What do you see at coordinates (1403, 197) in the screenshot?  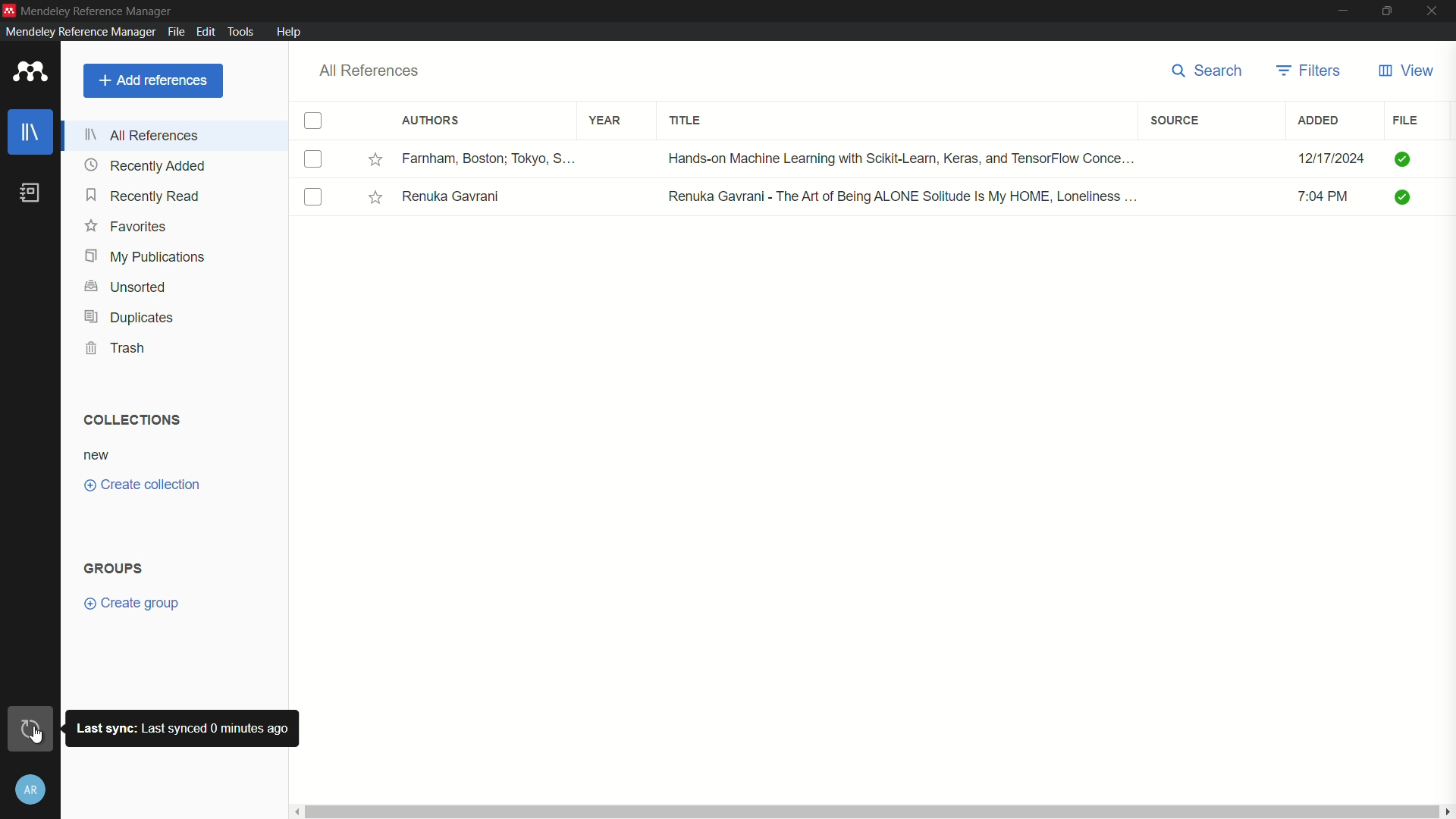 I see `Checked` at bounding box center [1403, 197].